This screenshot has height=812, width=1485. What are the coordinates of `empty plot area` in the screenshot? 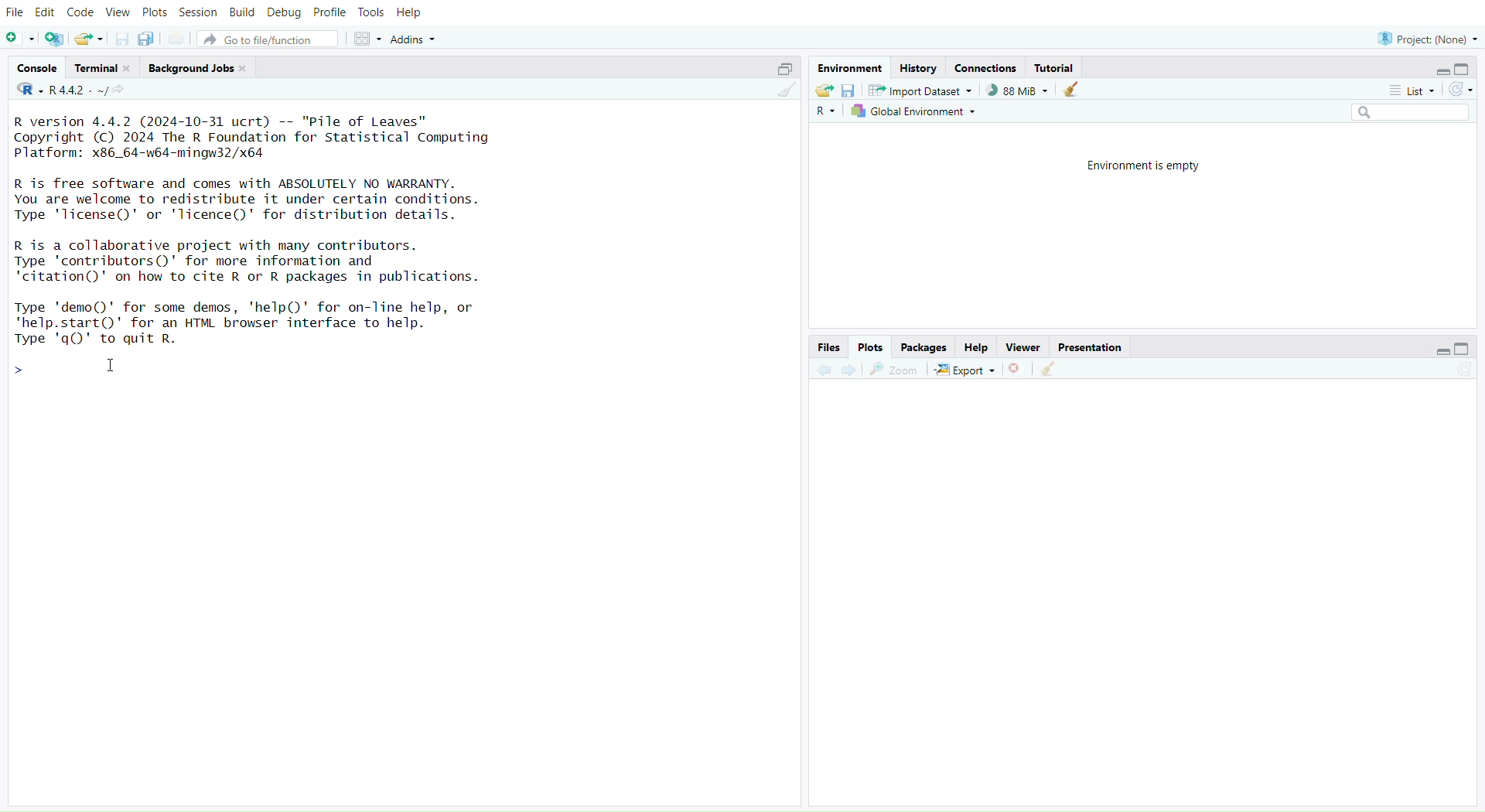 It's located at (1151, 597).